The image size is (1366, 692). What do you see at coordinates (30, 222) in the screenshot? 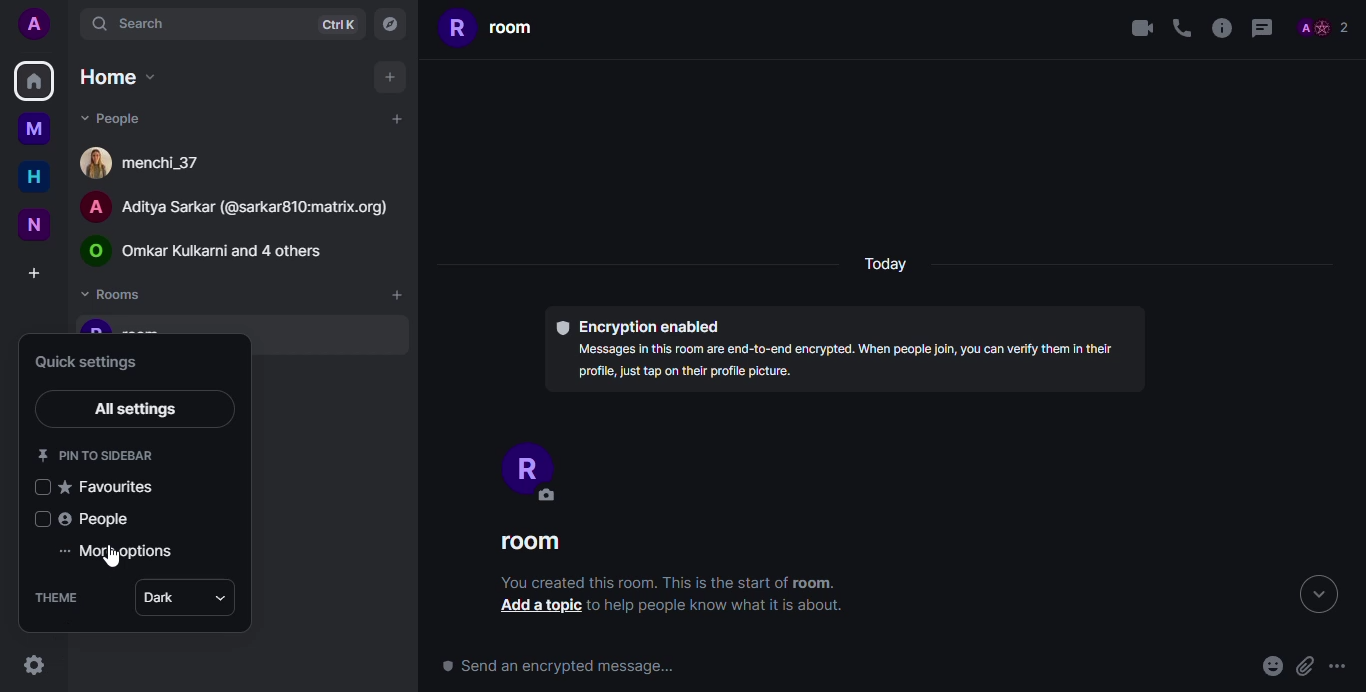
I see `new` at bounding box center [30, 222].